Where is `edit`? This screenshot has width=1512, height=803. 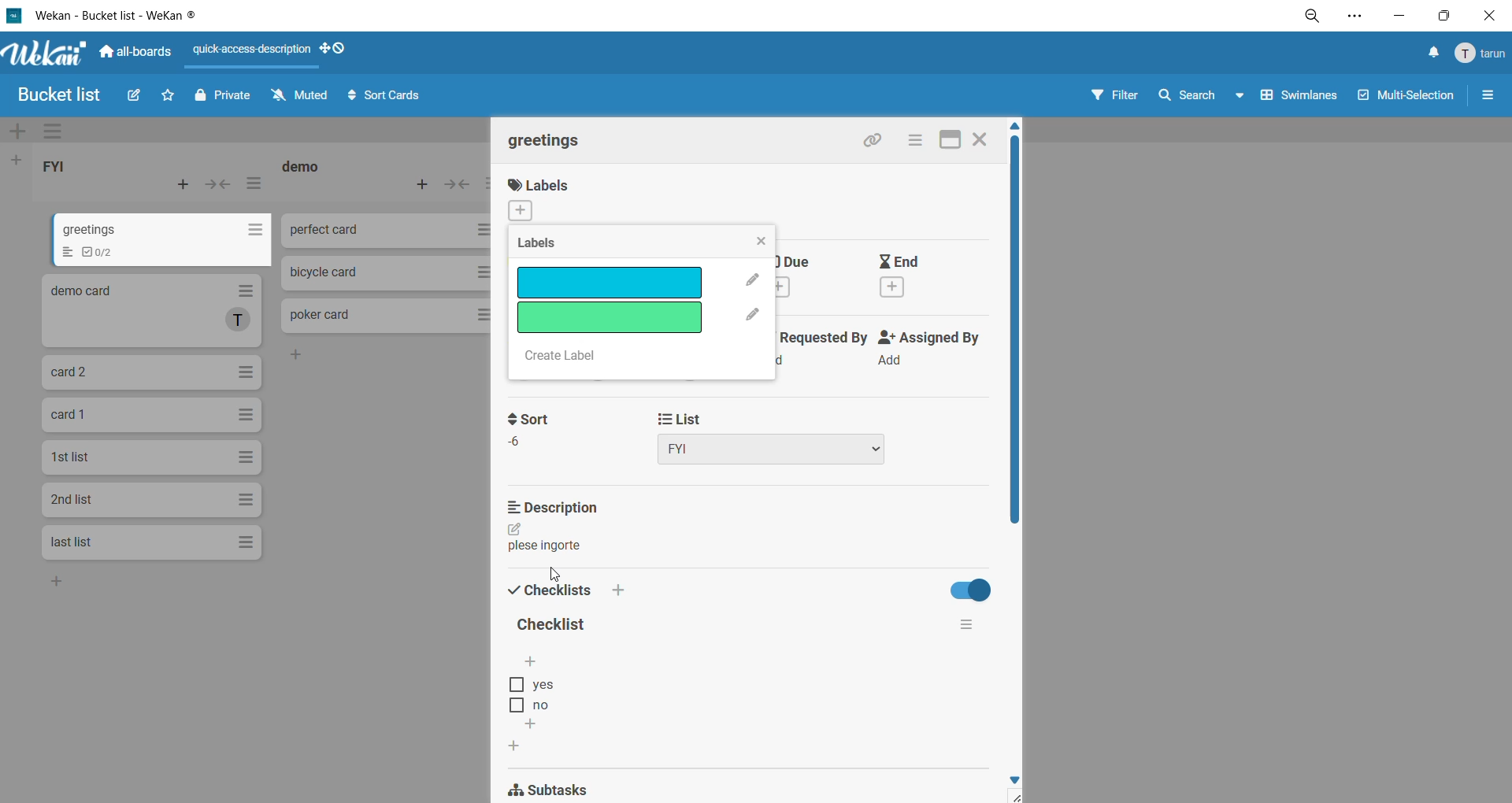
edit is located at coordinates (135, 96).